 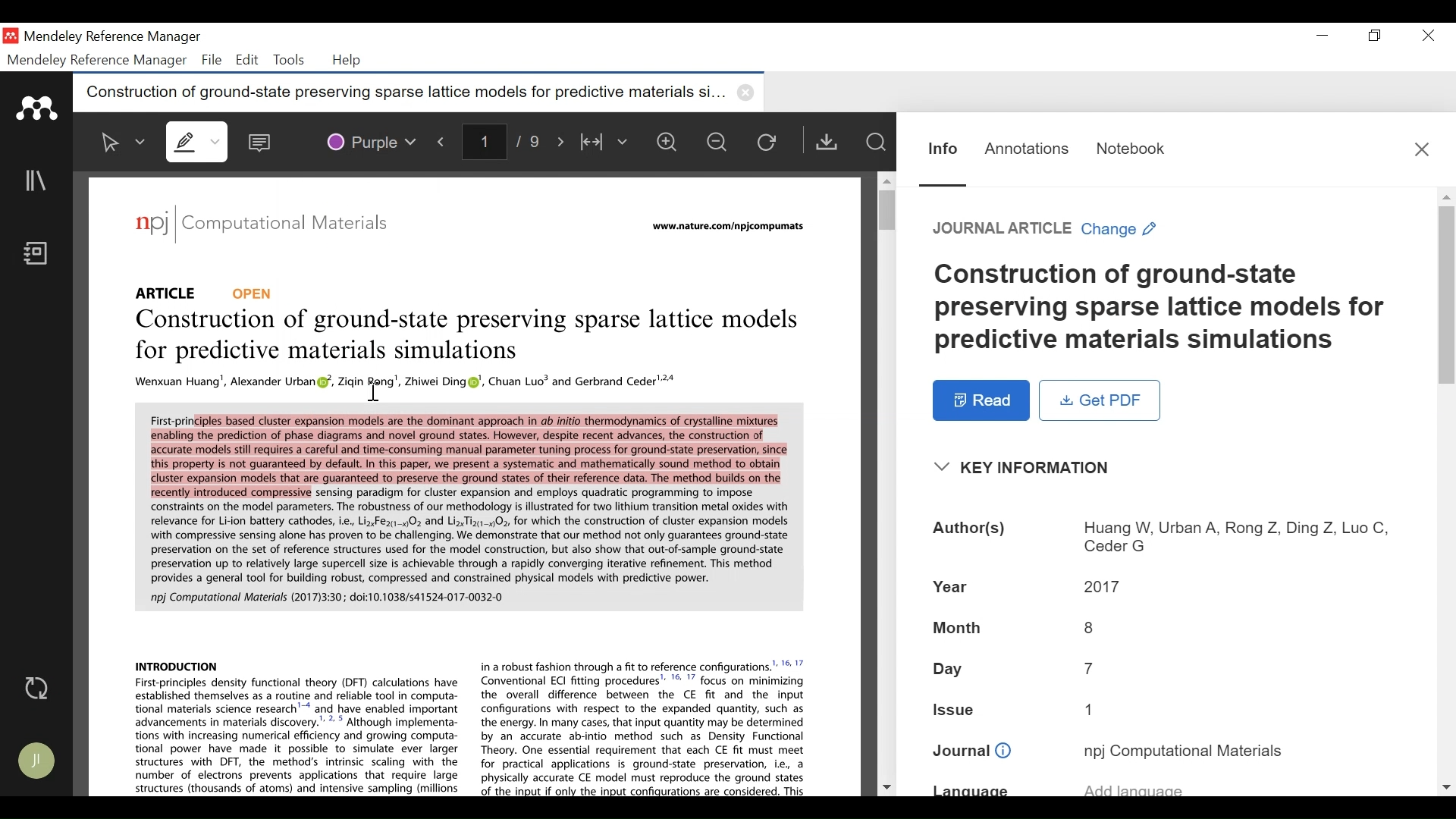 What do you see at coordinates (771, 143) in the screenshot?
I see `Reload` at bounding box center [771, 143].